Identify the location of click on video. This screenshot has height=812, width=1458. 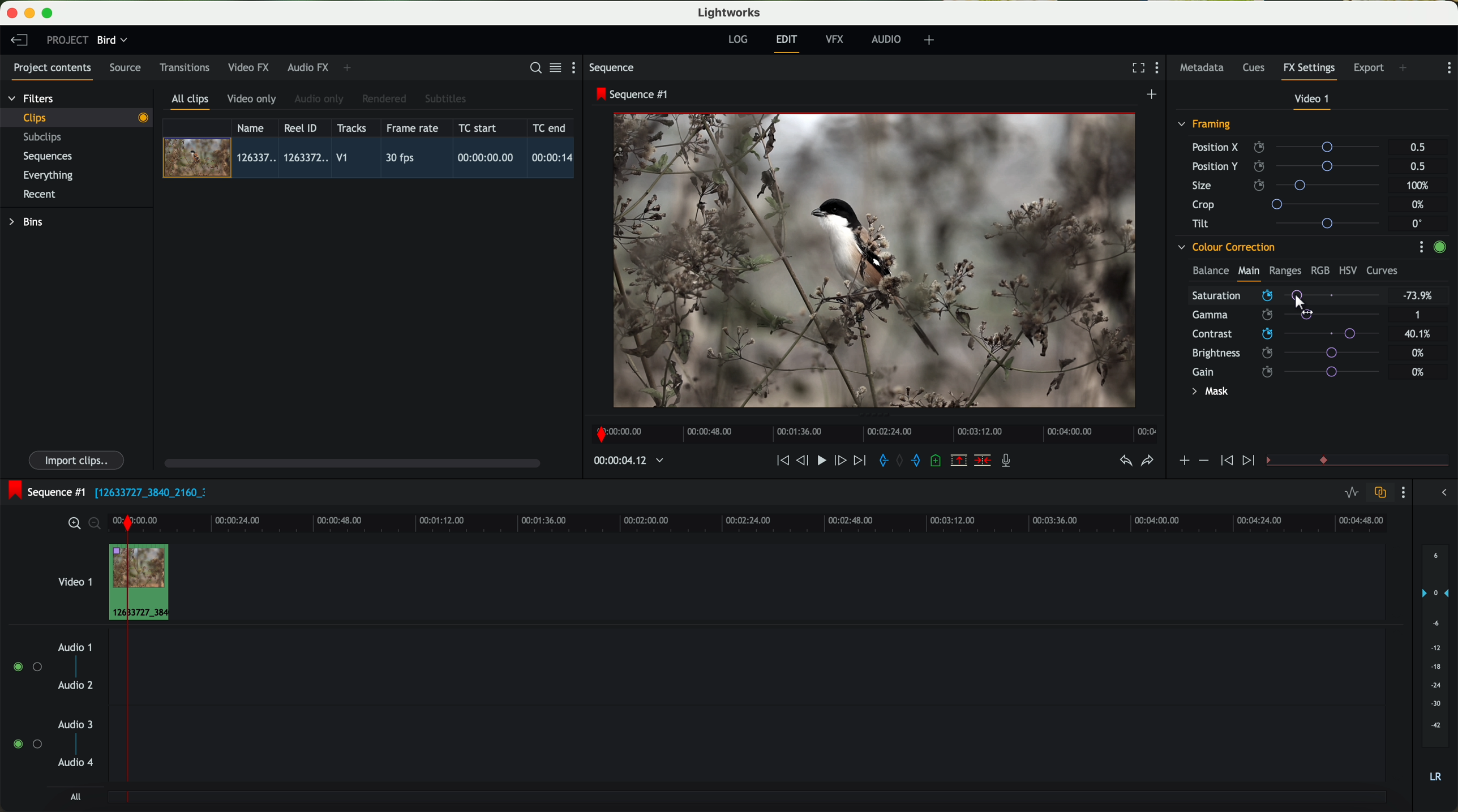
(372, 160).